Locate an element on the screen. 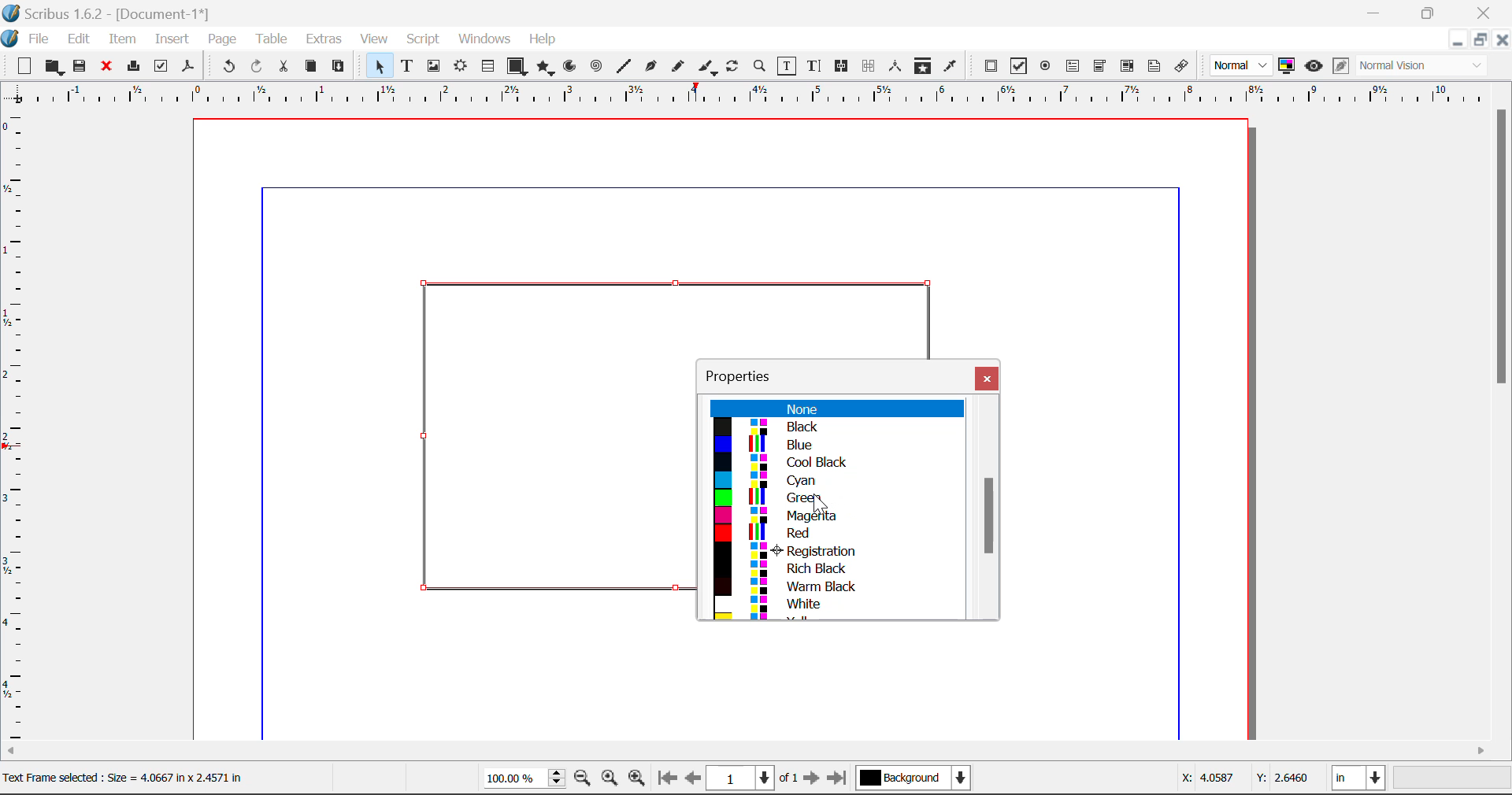  Background is located at coordinates (913, 779).